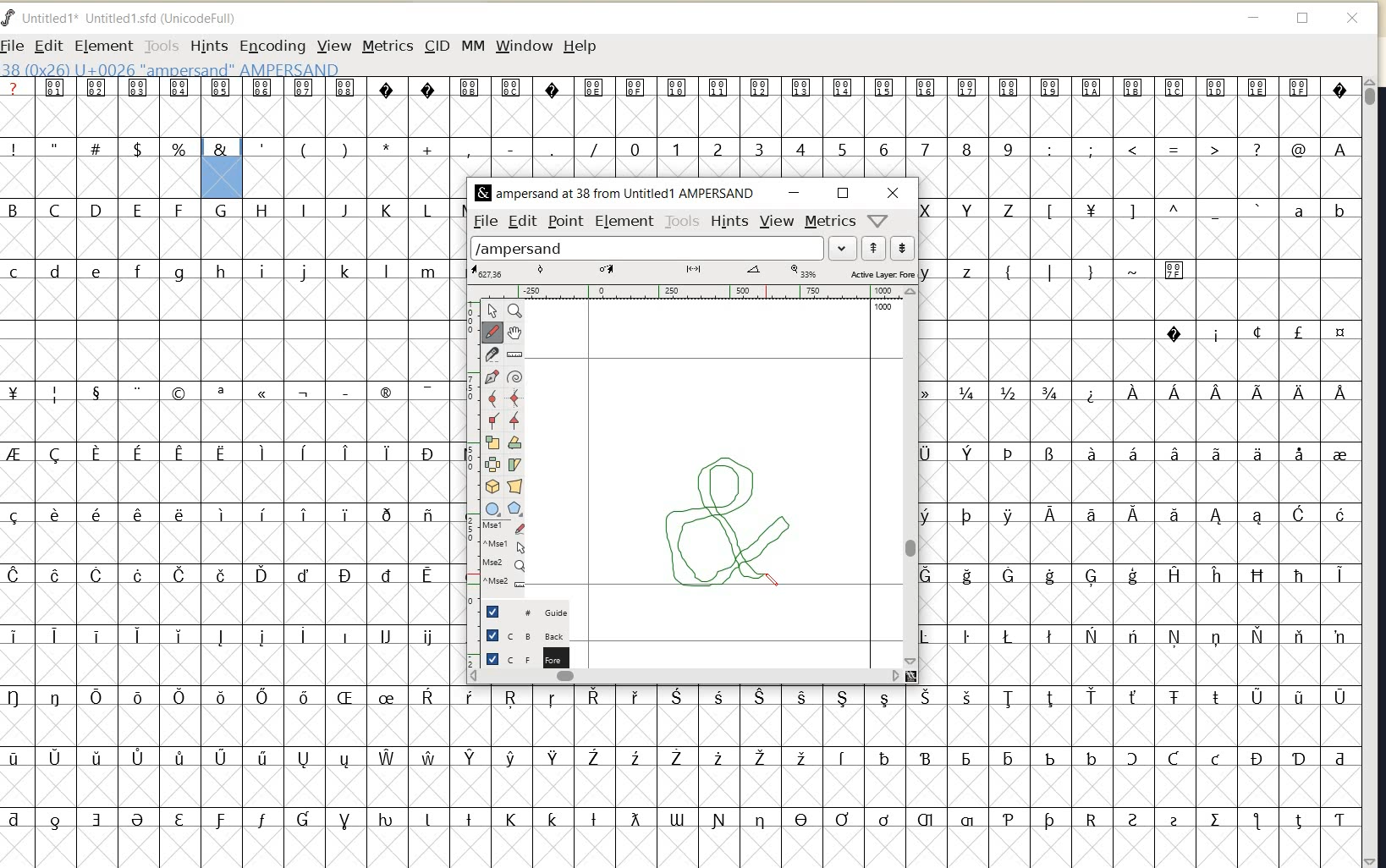 This screenshot has height=868, width=1386. What do you see at coordinates (518, 398) in the screenshot?
I see `add a curve point always either horizontal or vertical` at bounding box center [518, 398].